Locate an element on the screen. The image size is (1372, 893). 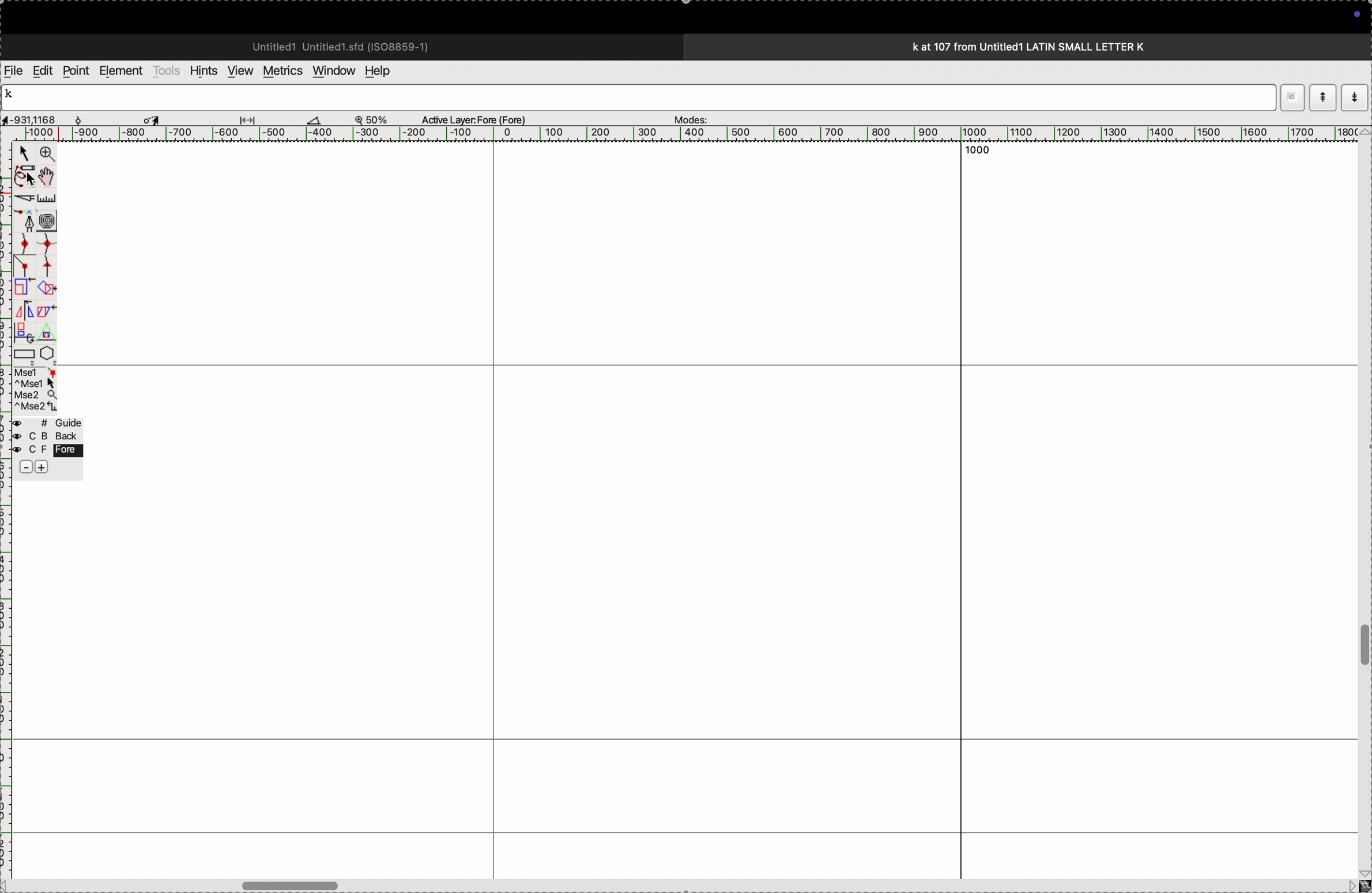
horizontal scale is located at coordinates (673, 134).